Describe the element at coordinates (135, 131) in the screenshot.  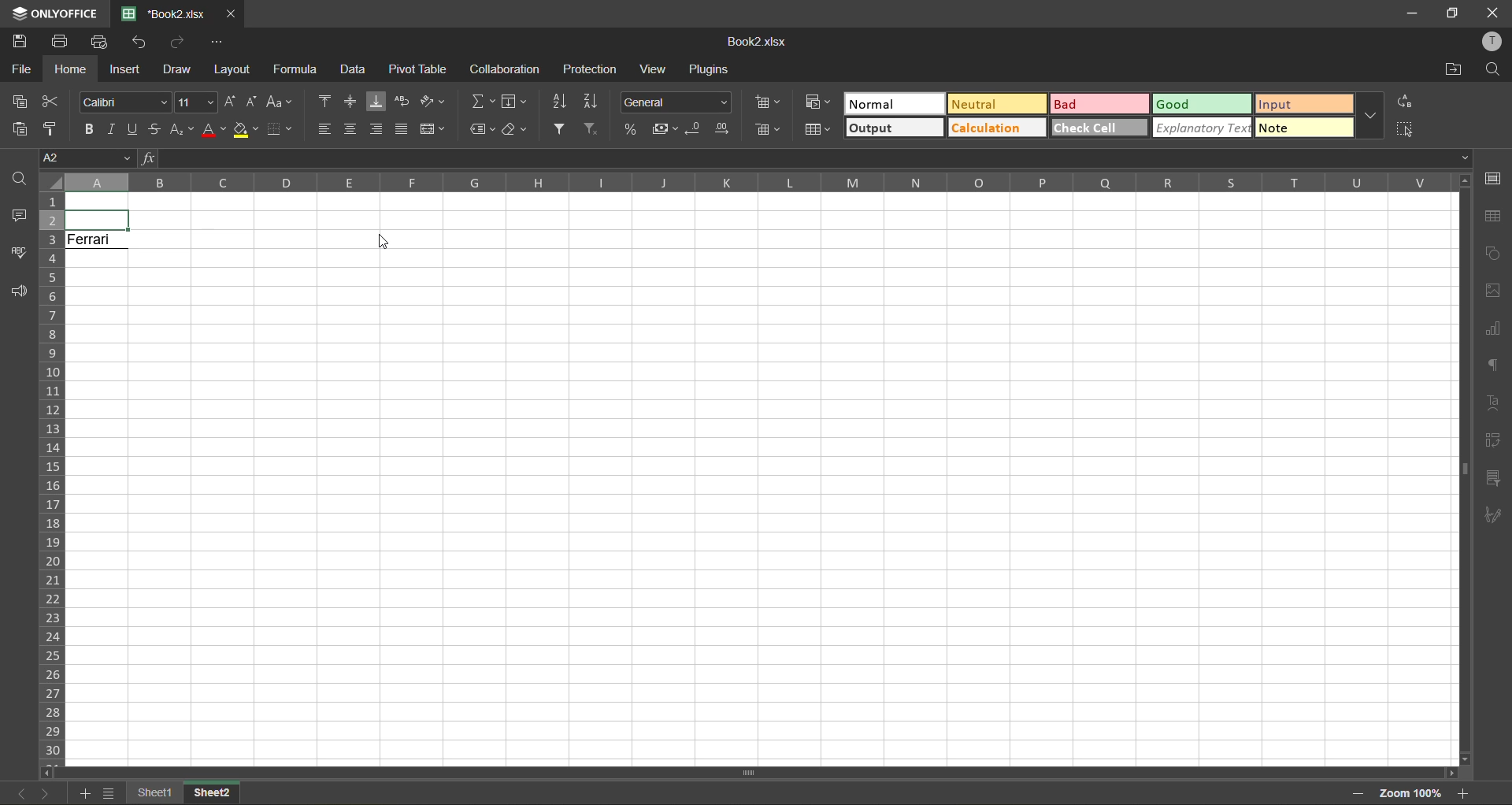
I see `underline` at that location.